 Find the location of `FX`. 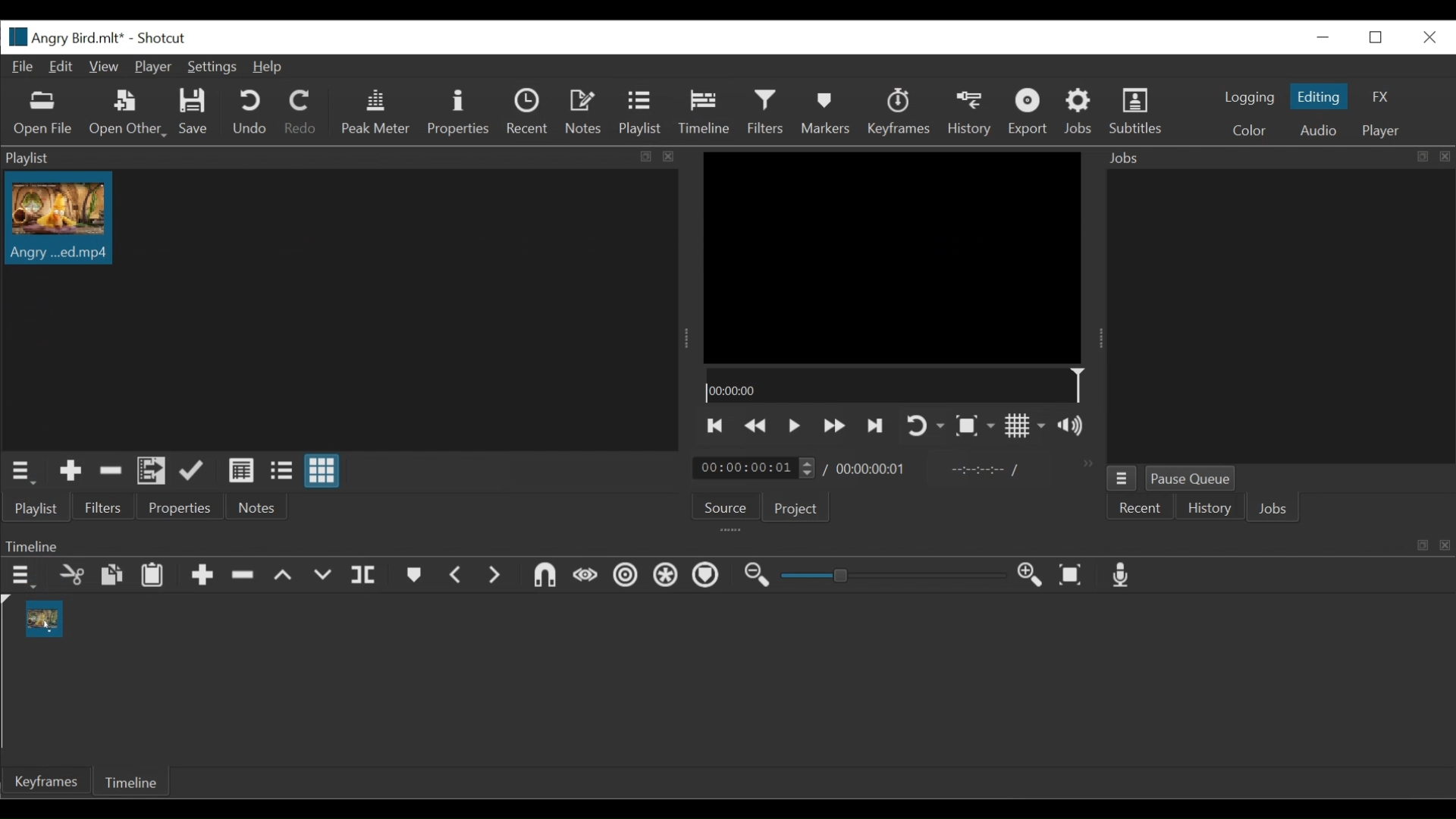

FX is located at coordinates (1381, 96).